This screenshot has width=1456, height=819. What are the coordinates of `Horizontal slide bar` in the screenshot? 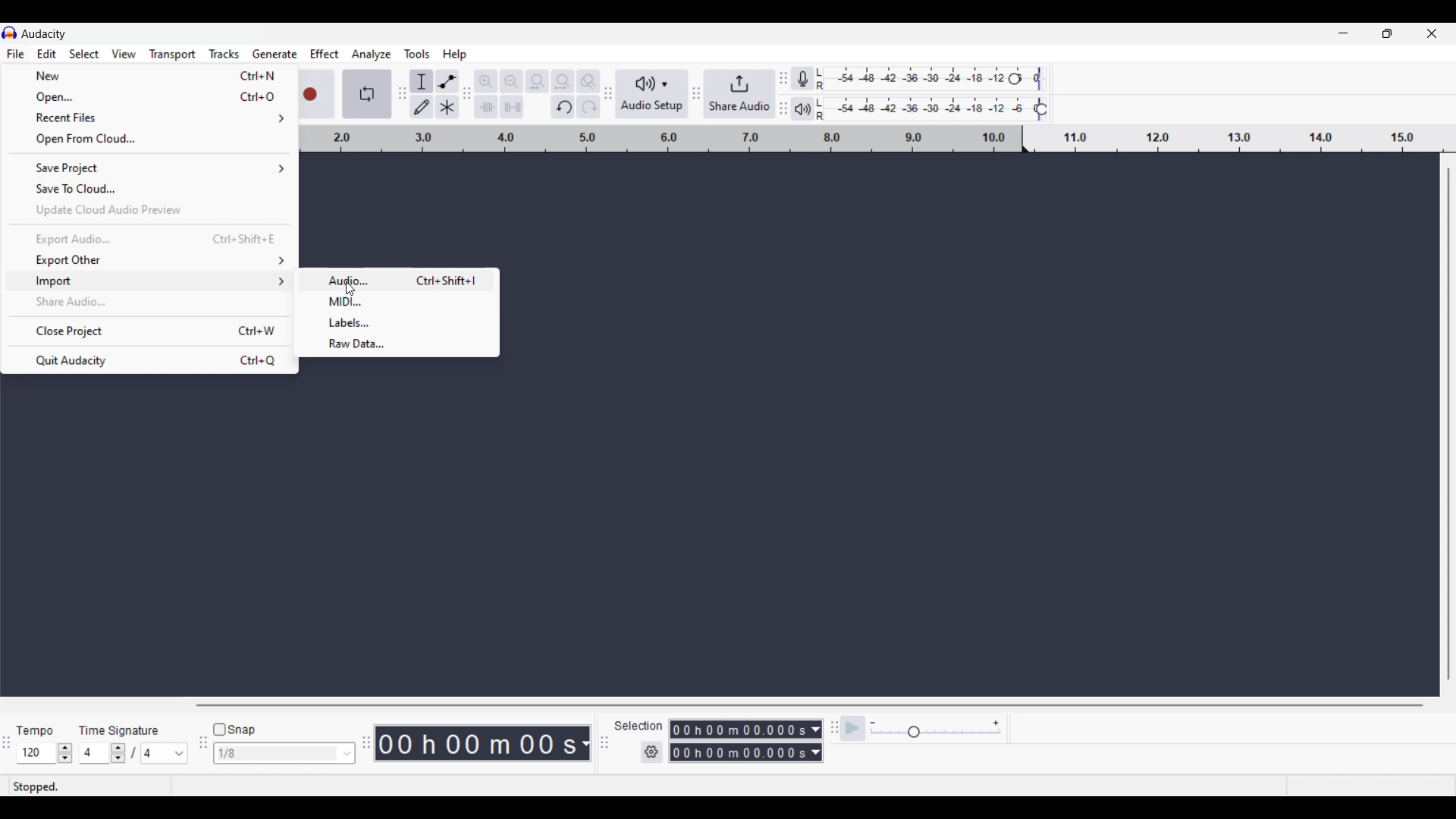 It's located at (808, 706).